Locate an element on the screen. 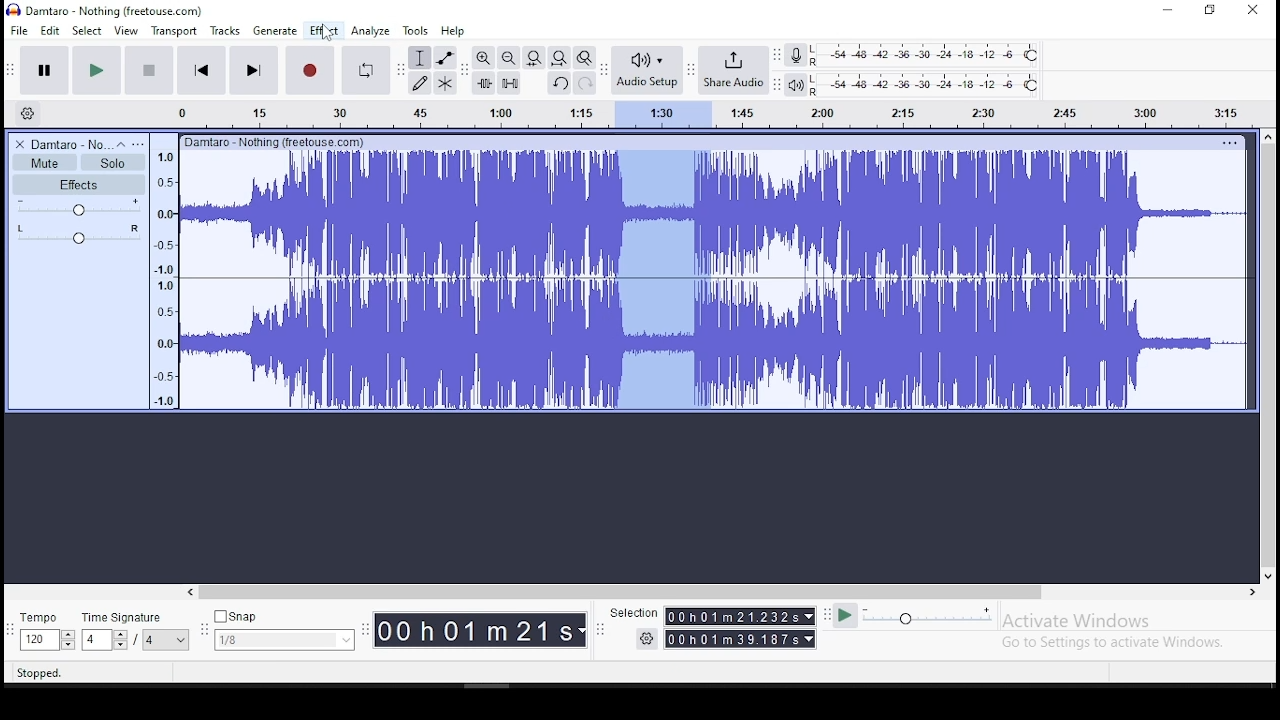   is located at coordinates (775, 53).